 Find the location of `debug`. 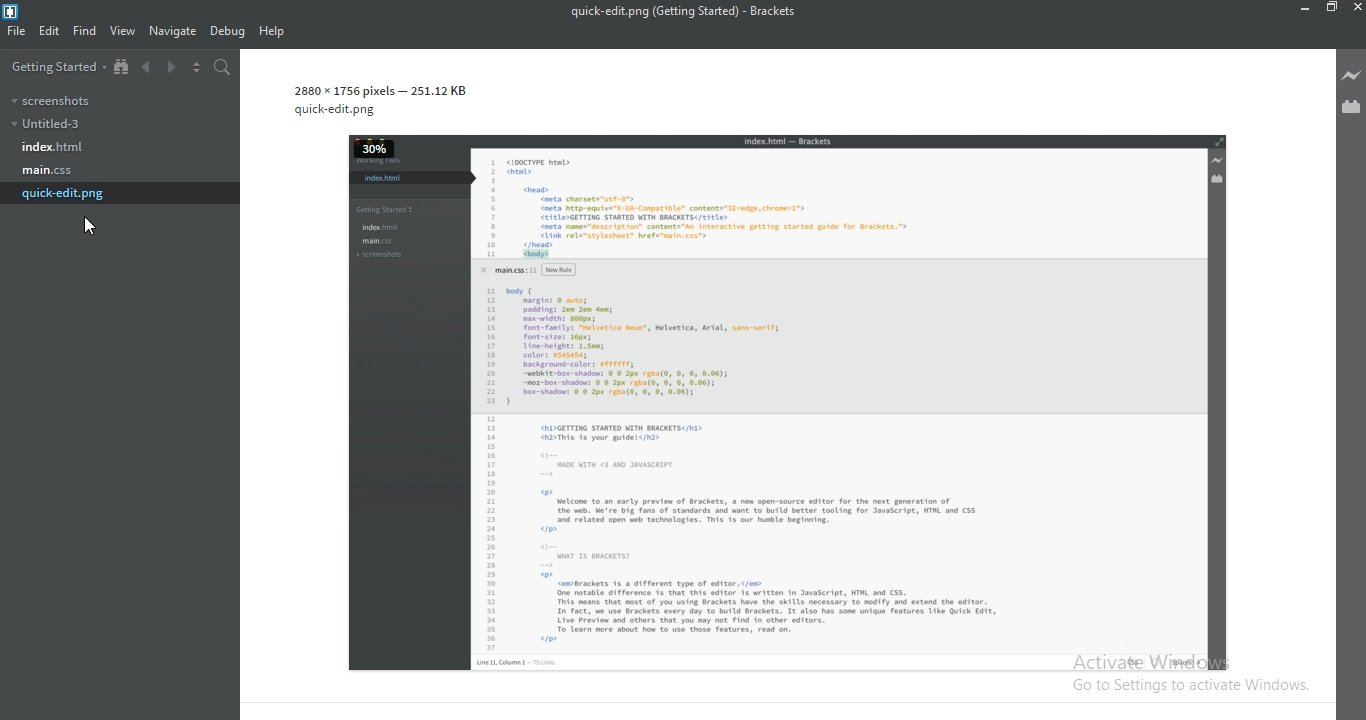

debug is located at coordinates (225, 32).